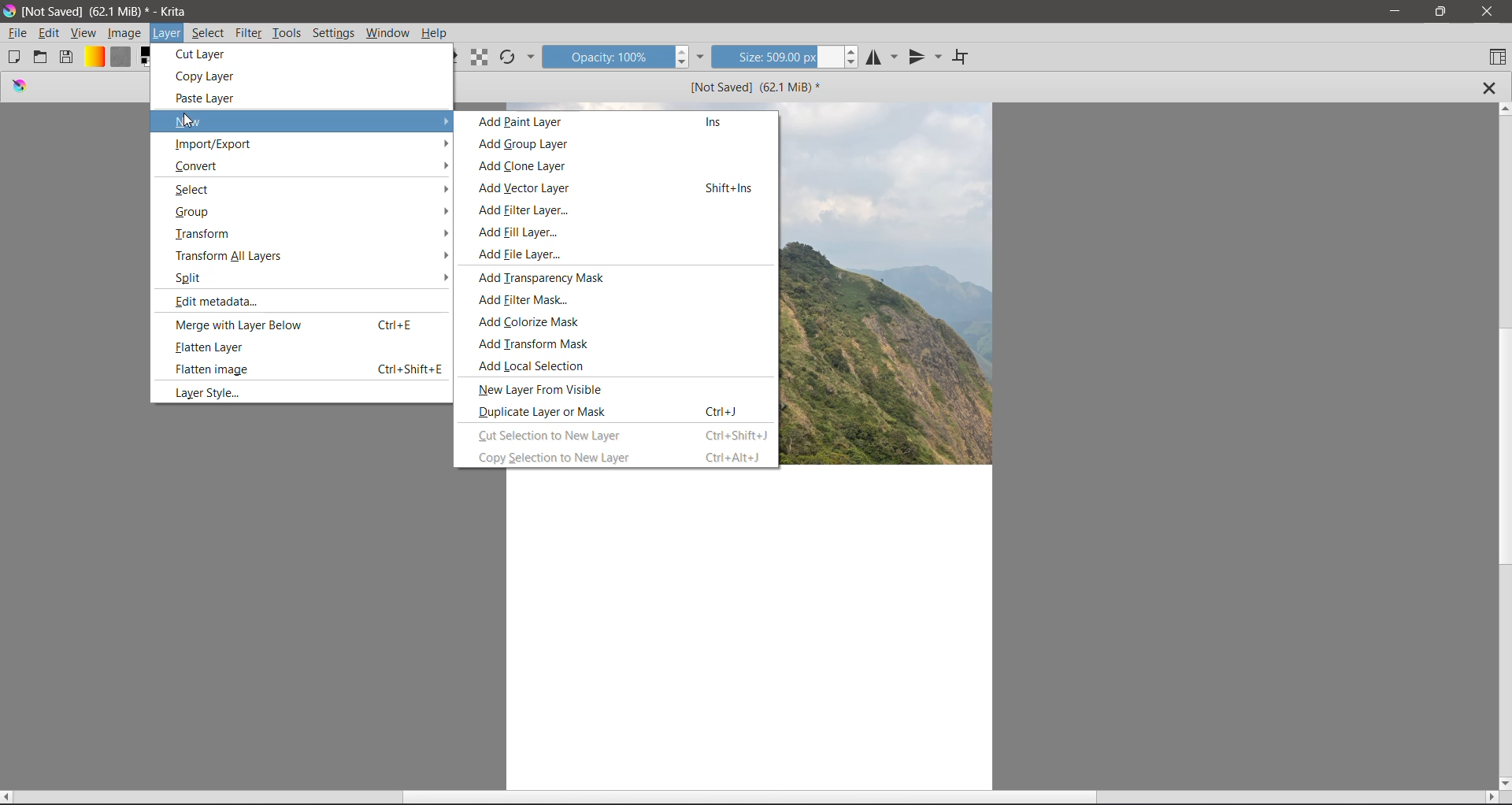 The height and width of the screenshot is (805, 1512). I want to click on Wrap Around Mode, so click(961, 58).